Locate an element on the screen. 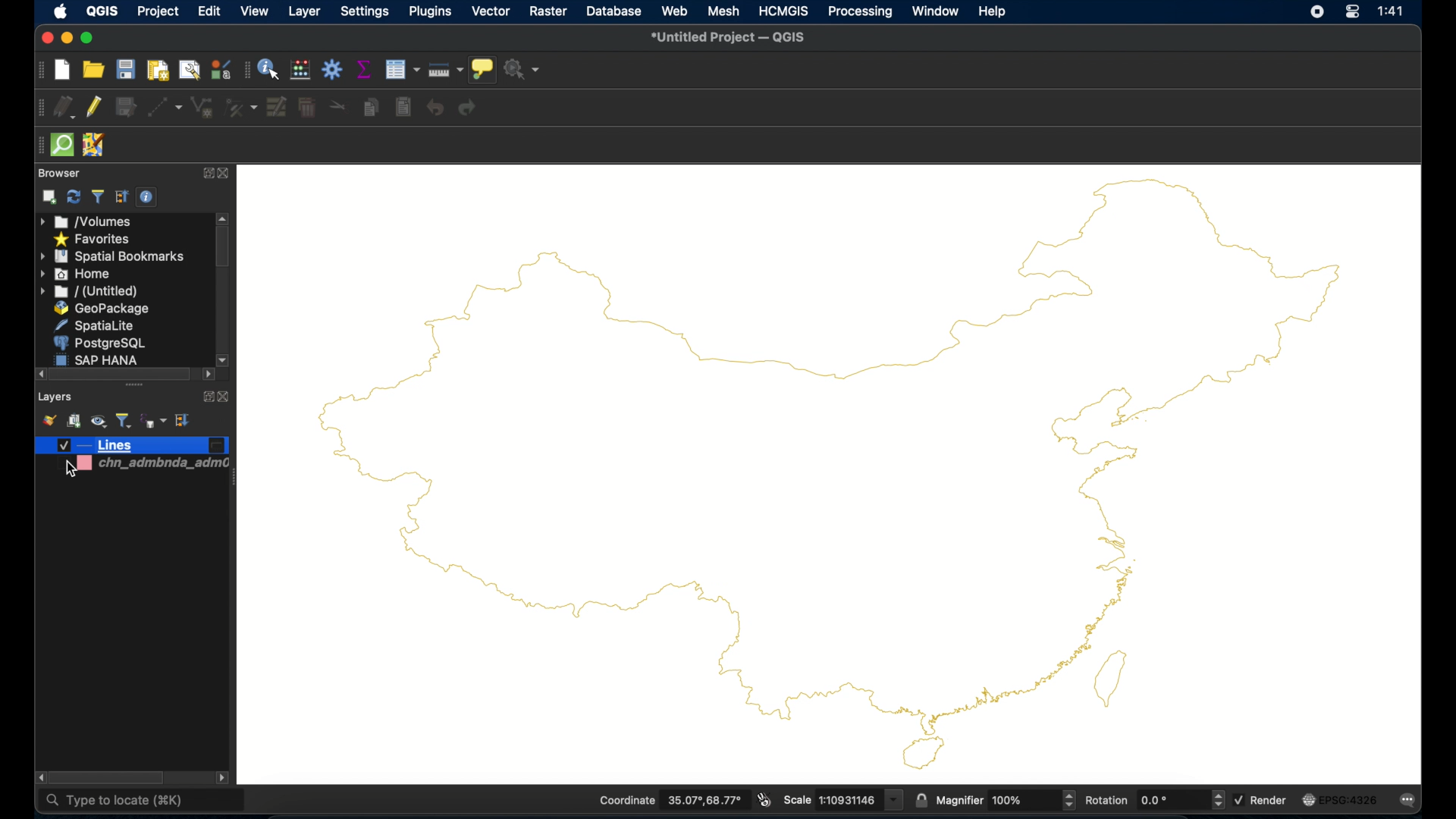 This screenshot has width=1456, height=819. untitled menu is located at coordinates (89, 292).